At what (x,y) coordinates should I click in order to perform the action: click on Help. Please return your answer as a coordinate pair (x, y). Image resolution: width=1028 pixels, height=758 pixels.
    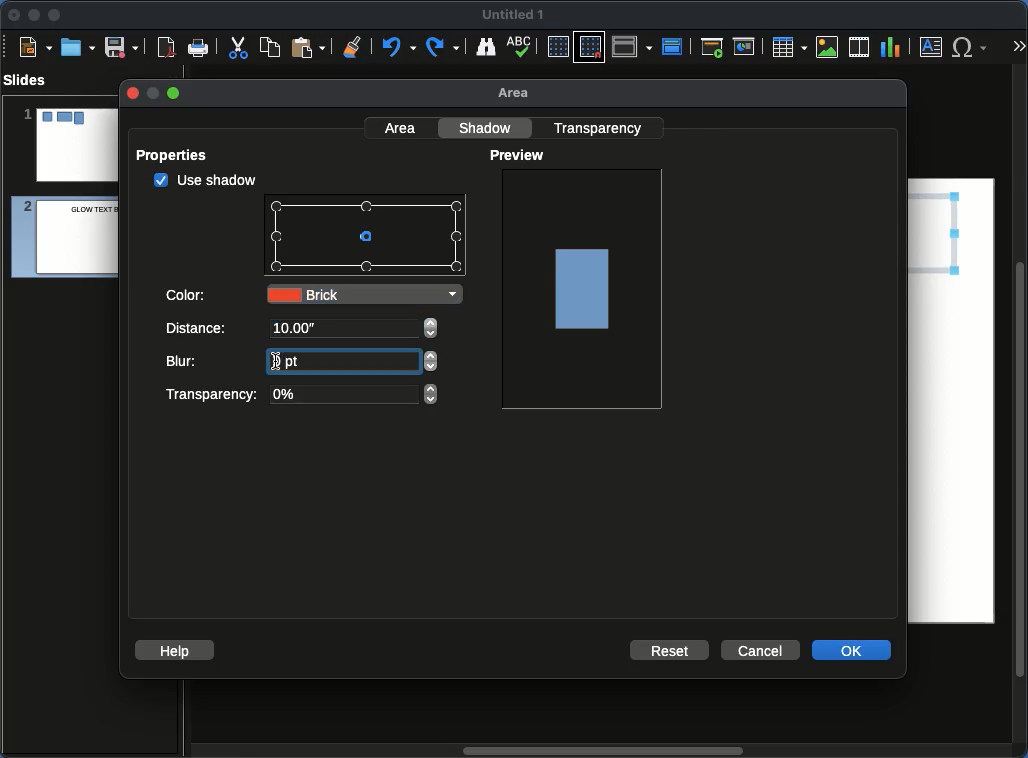
    Looking at the image, I should click on (175, 649).